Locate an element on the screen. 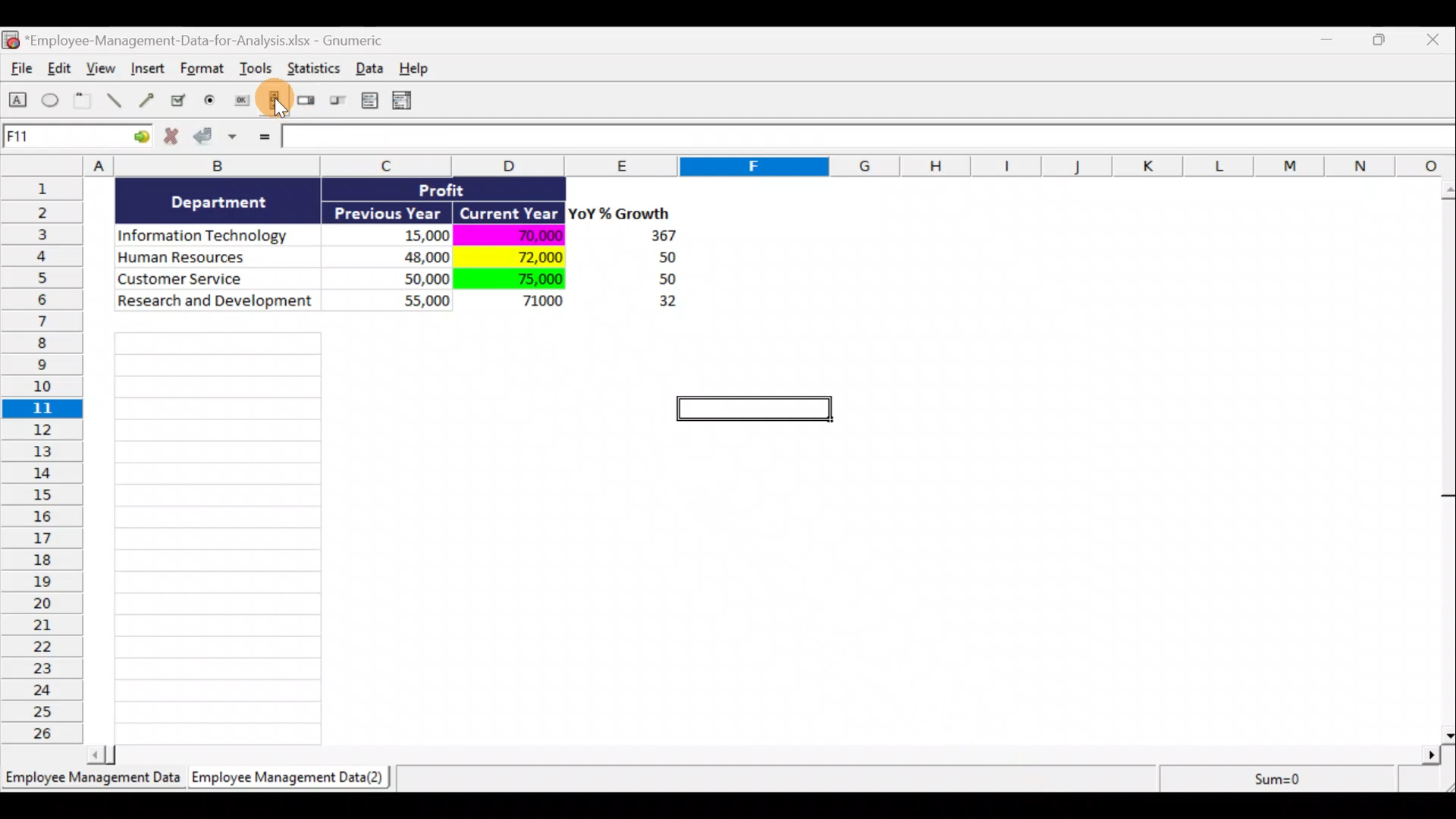  Enter formula is located at coordinates (262, 138).